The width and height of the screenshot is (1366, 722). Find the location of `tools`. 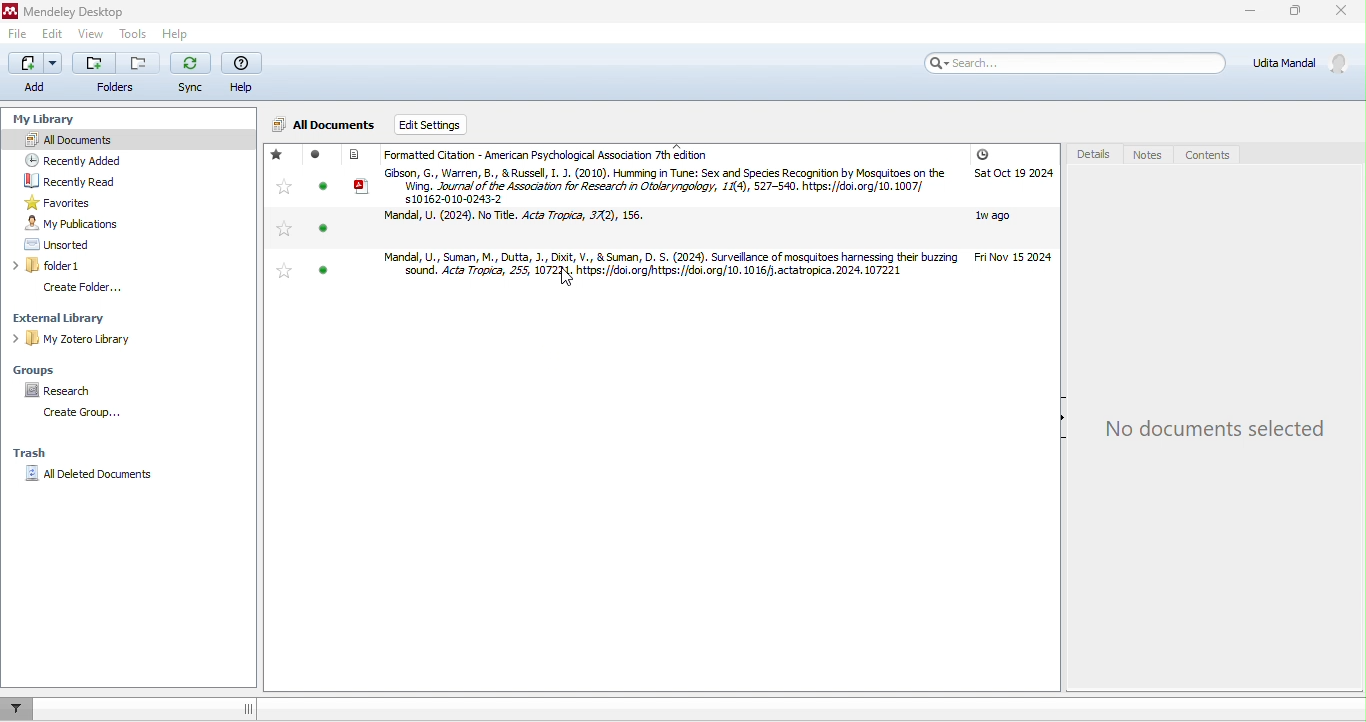

tools is located at coordinates (132, 34).